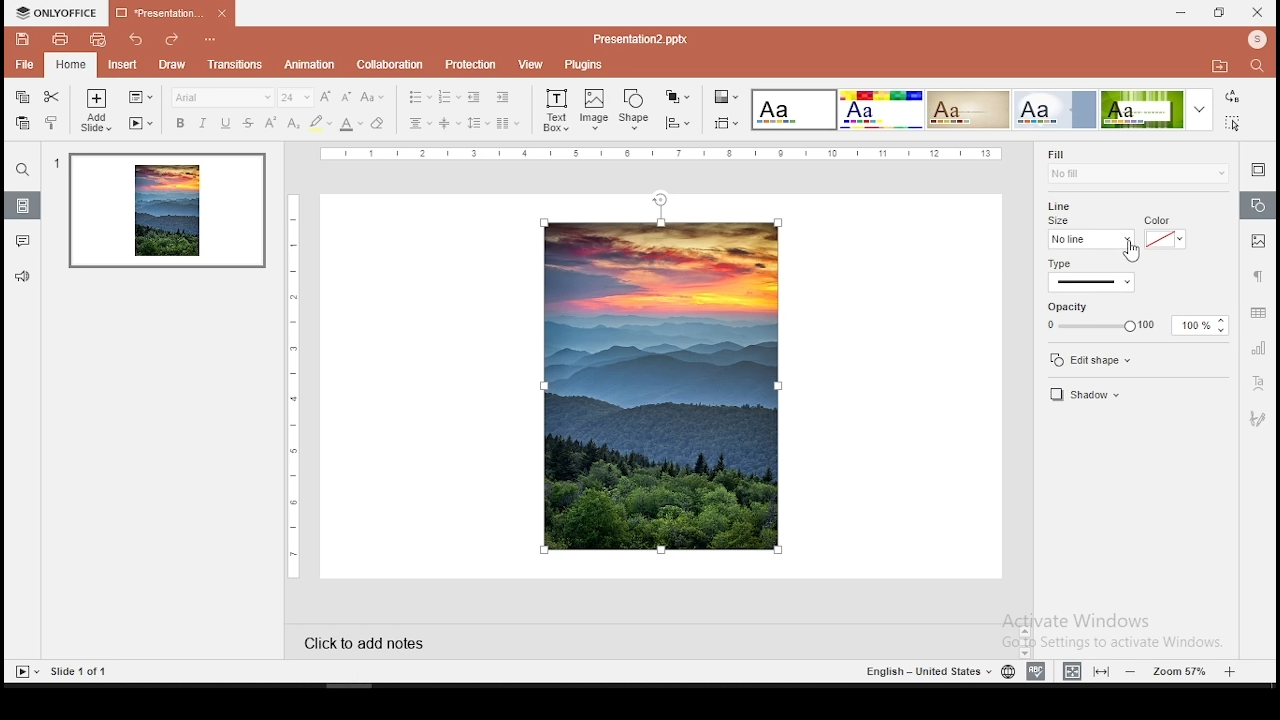  Describe the element at coordinates (1256, 13) in the screenshot. I see `close window` at that location.